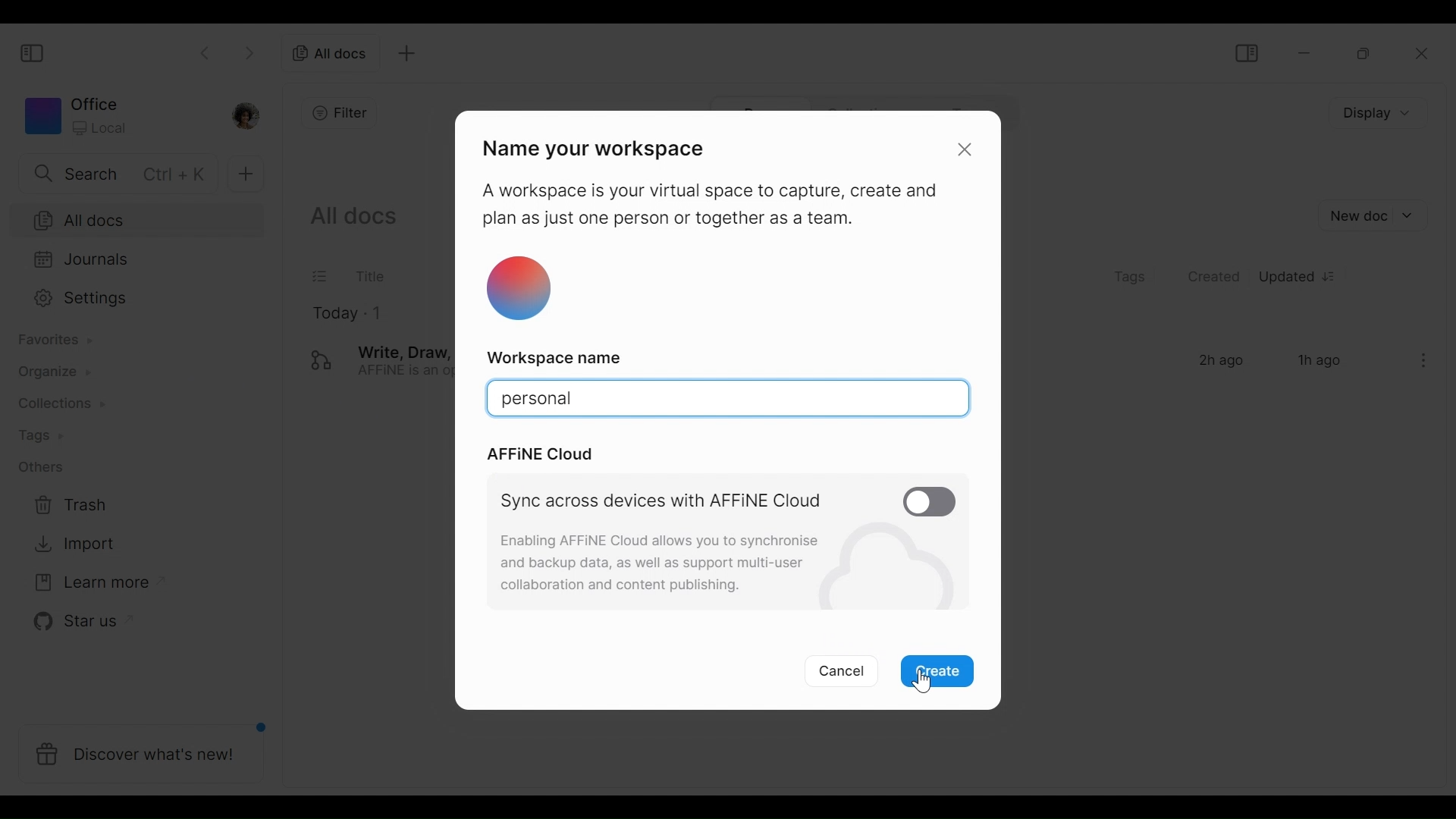  I want to click on Restore, so click(1363, 52).